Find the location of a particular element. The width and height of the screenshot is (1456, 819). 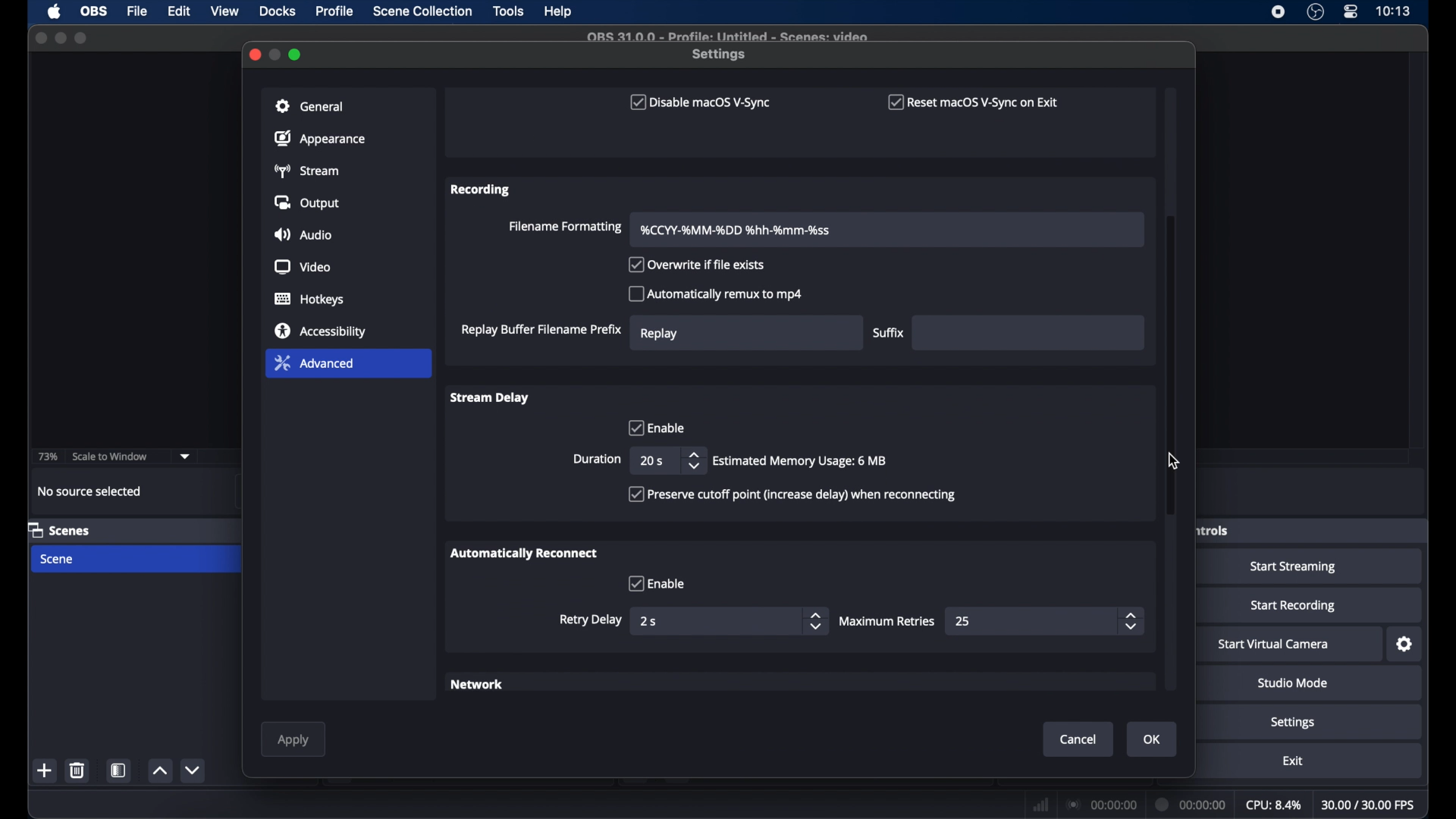

appearance is located at coordinates (320, 138).